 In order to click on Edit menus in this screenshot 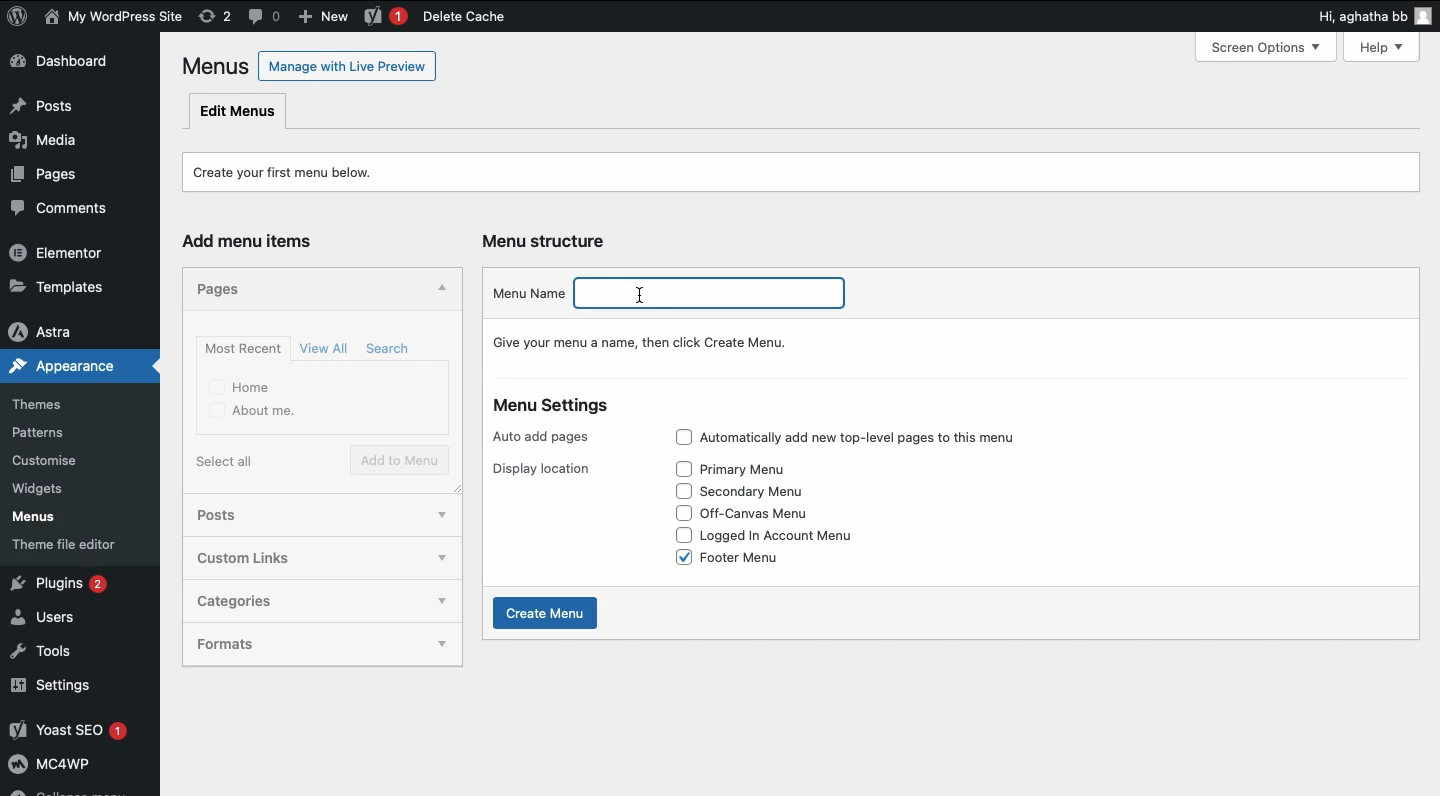, I will do `click(238, 112)`.